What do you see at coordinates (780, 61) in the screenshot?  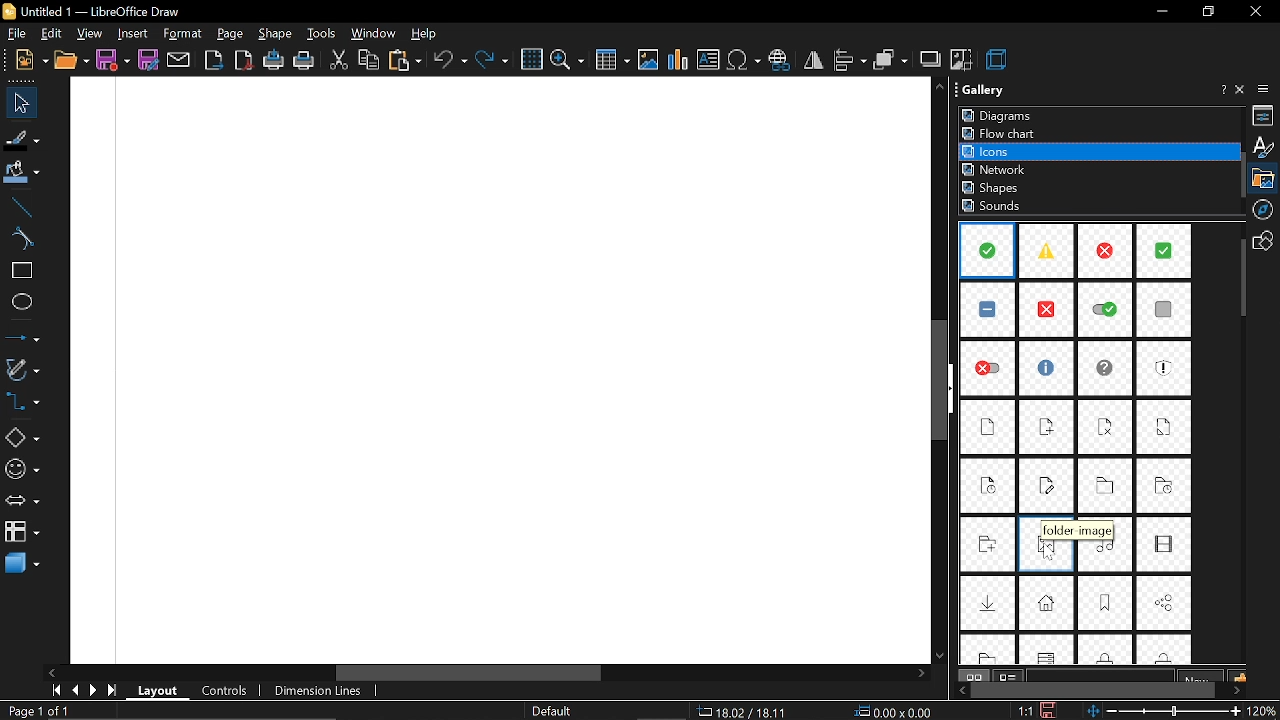 I see `insert hyperlink` at bounding box center [780, 61].